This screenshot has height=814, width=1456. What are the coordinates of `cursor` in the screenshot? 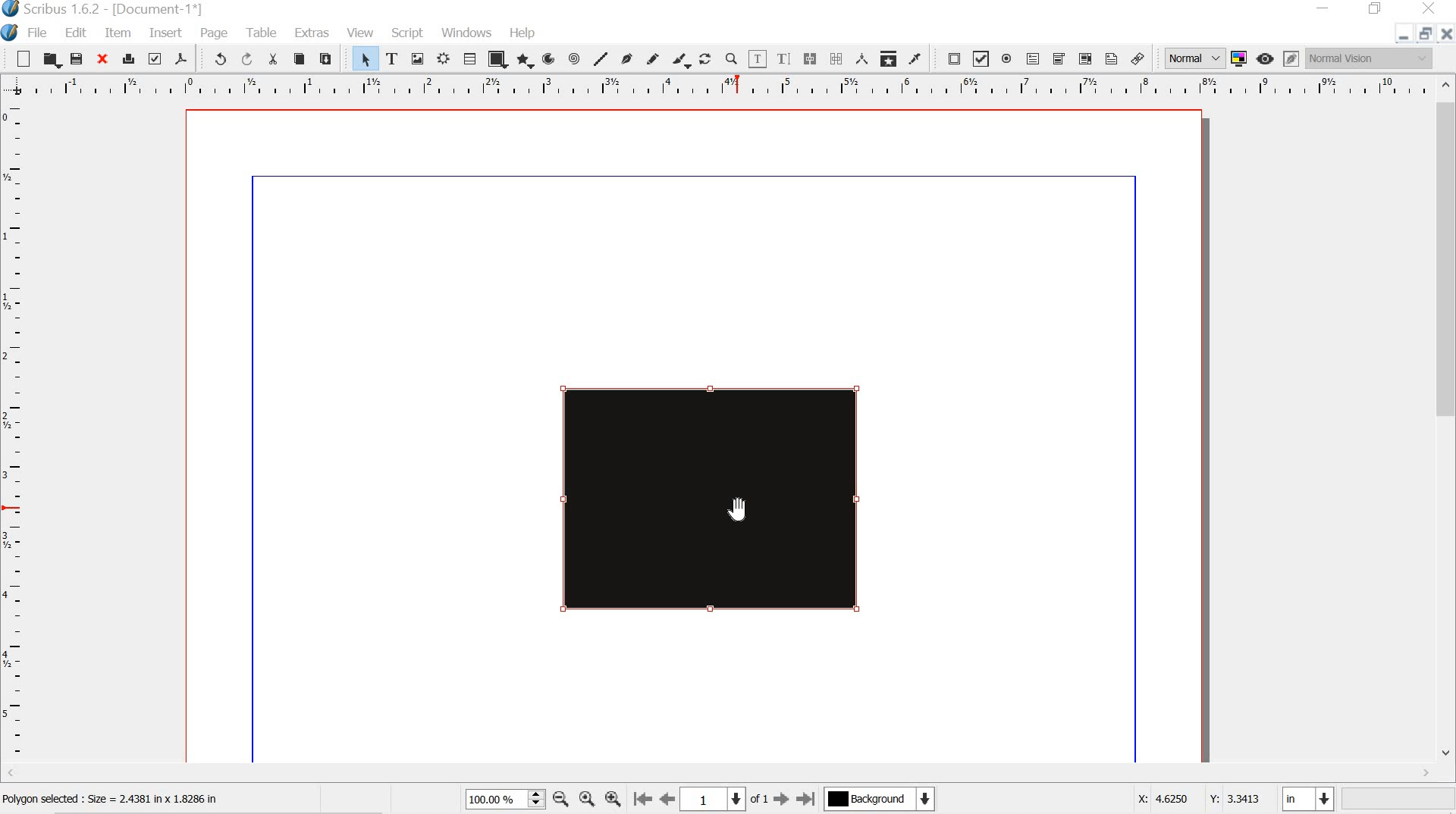 It's located at (741, 509).